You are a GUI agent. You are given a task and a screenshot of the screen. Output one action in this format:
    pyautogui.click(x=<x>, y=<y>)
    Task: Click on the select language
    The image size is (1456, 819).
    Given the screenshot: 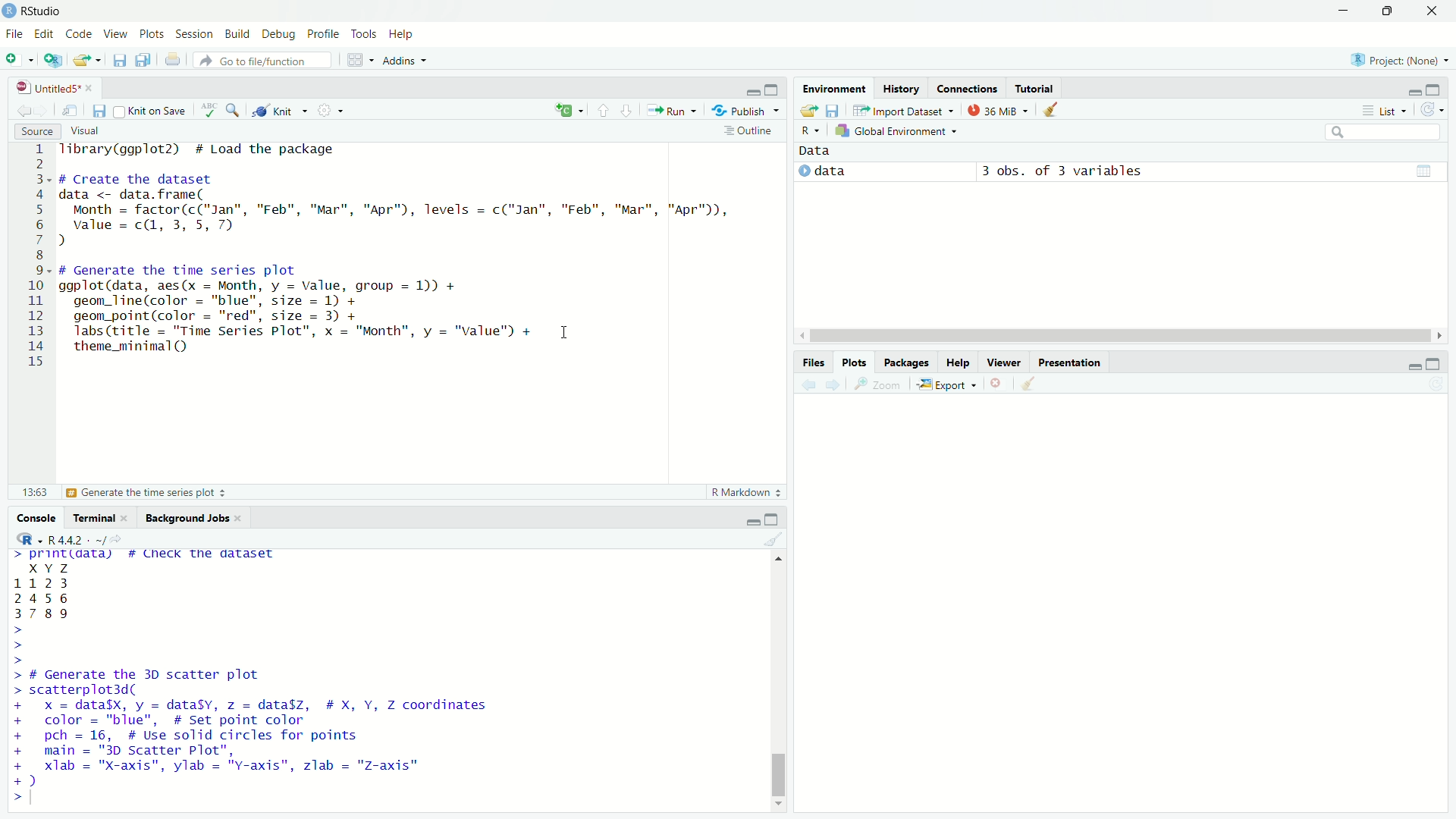 What is the action you would take?
    pyautogui.click(x=811, y=130)
    